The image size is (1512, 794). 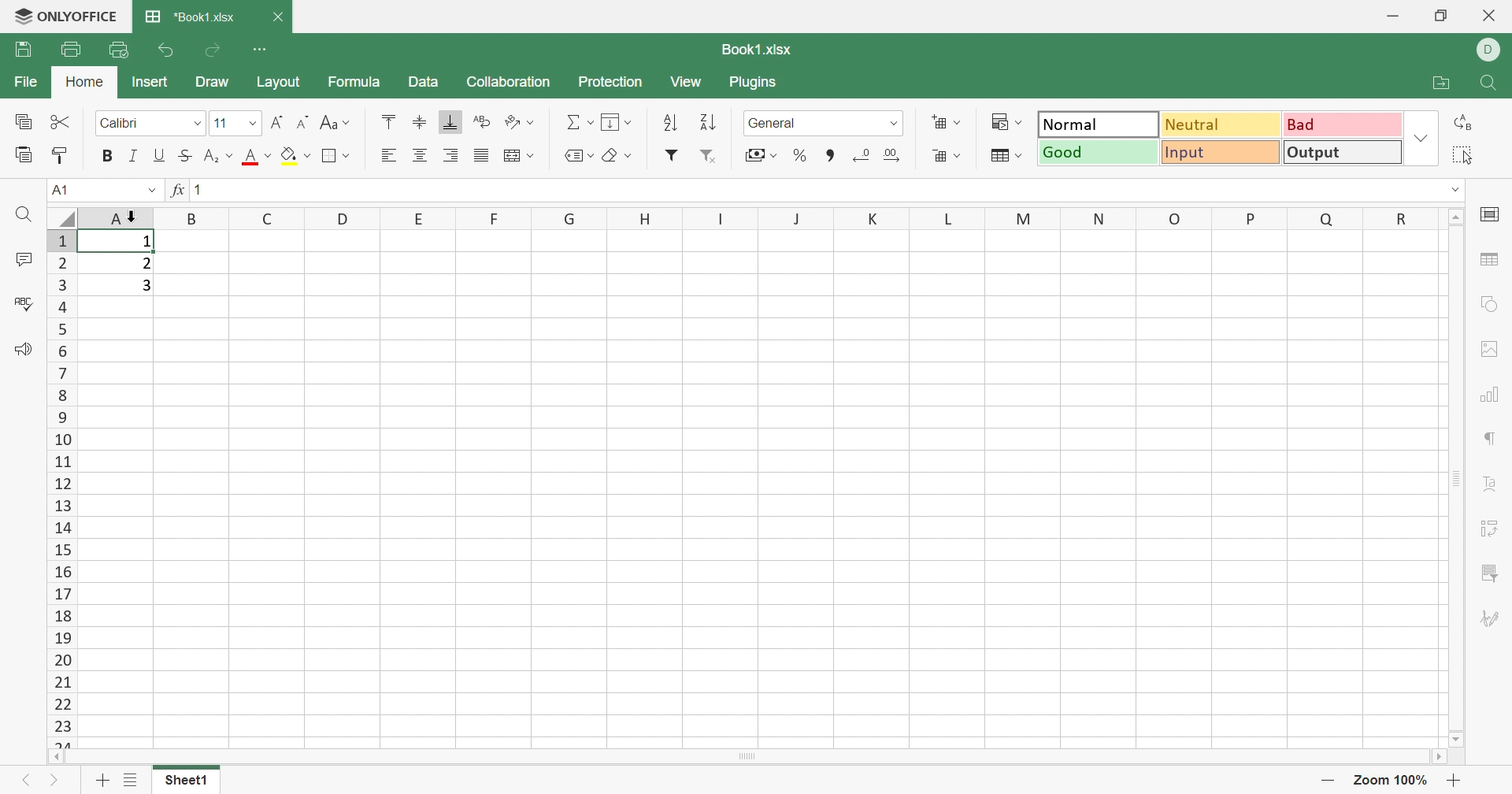 What do you see at coordinates (190, 15) in the screenshot?
I see `*Book1.xlsx` at bounding box center [190, 15].